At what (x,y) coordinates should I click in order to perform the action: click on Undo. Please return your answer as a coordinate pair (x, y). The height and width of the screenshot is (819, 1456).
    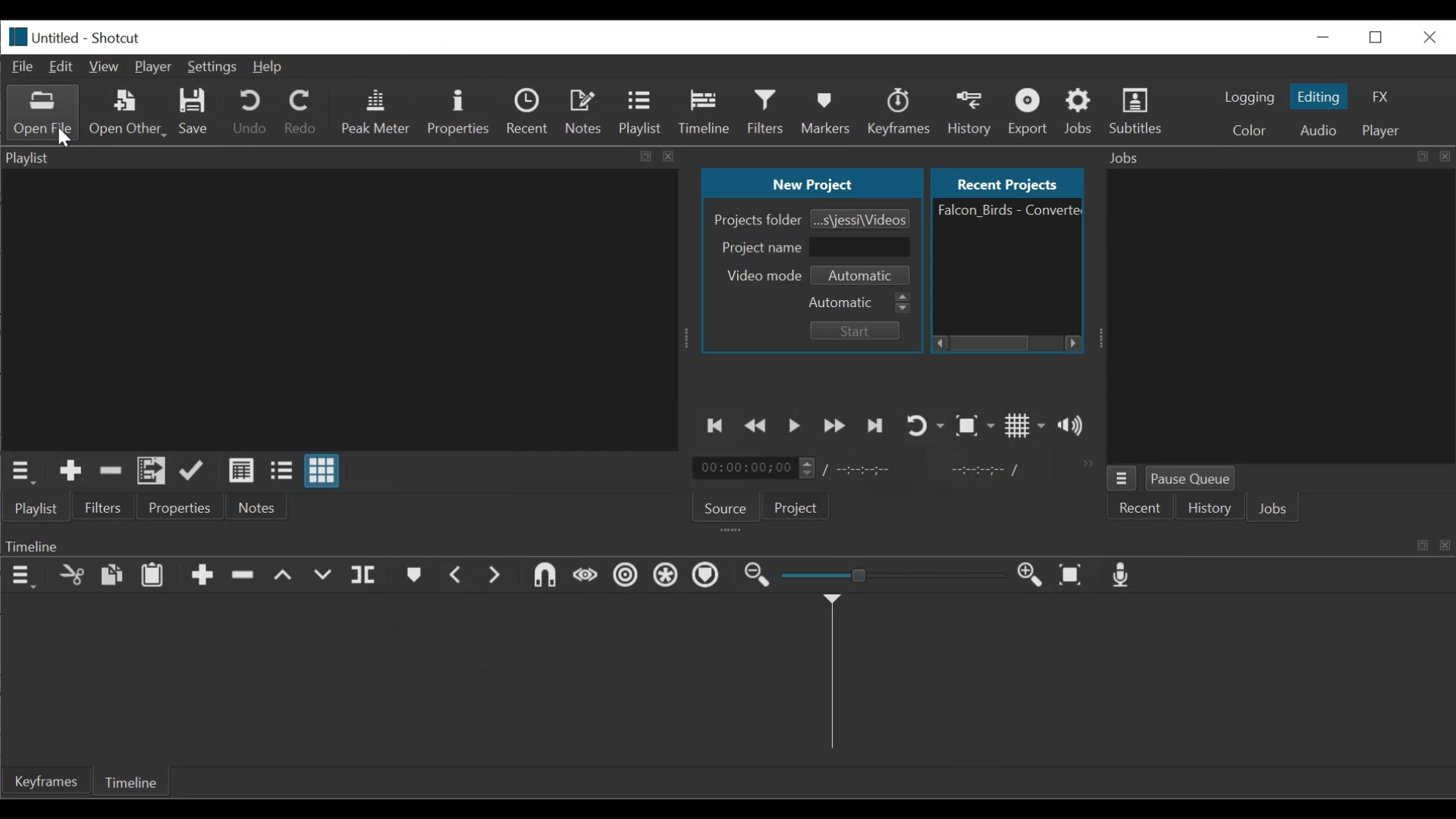
    Looking at the image, I should click on (249, 112).